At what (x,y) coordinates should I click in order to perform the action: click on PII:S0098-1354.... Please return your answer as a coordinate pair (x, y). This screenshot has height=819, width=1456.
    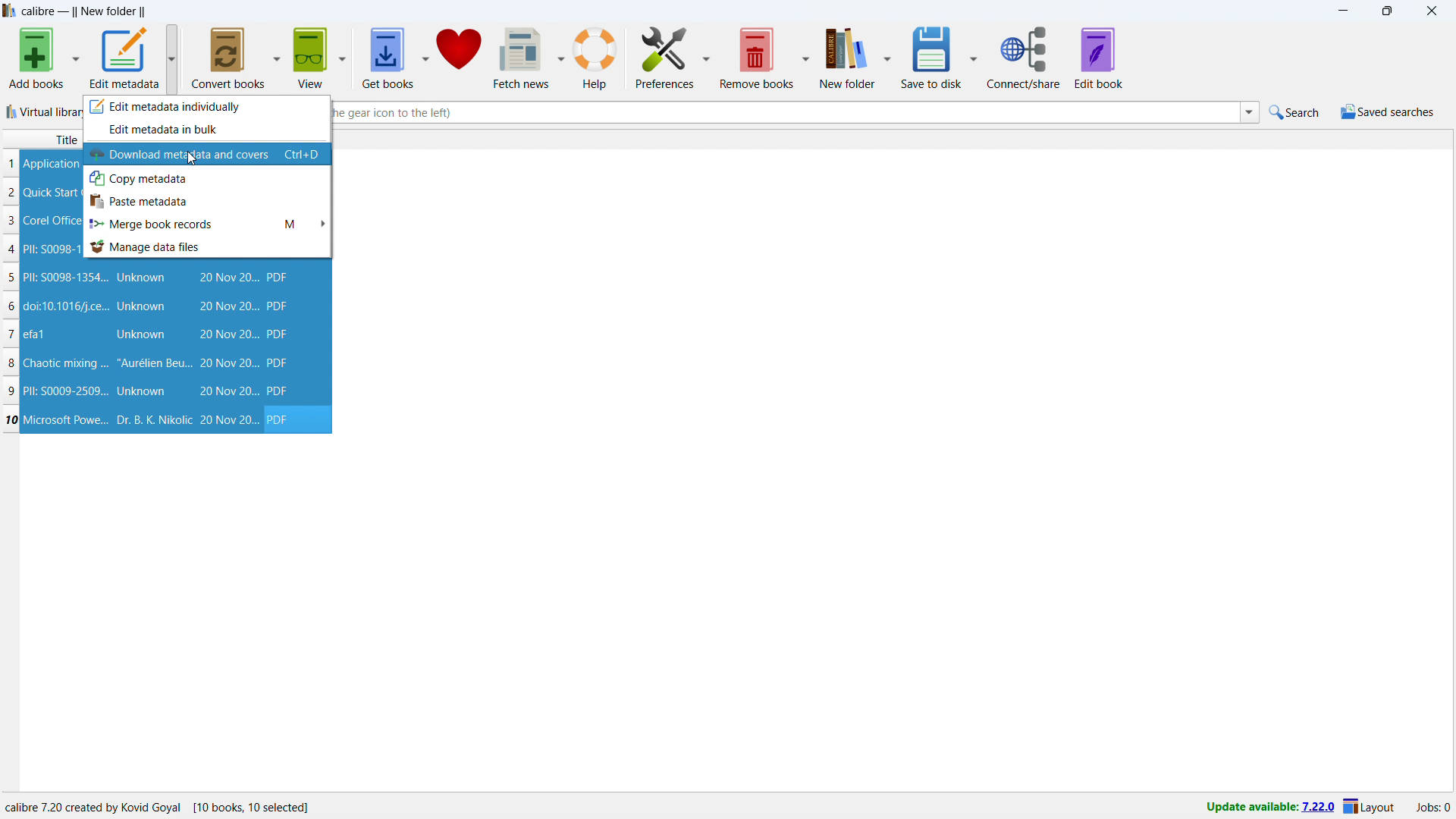
    Looking at the image, I should click on (66, 278).